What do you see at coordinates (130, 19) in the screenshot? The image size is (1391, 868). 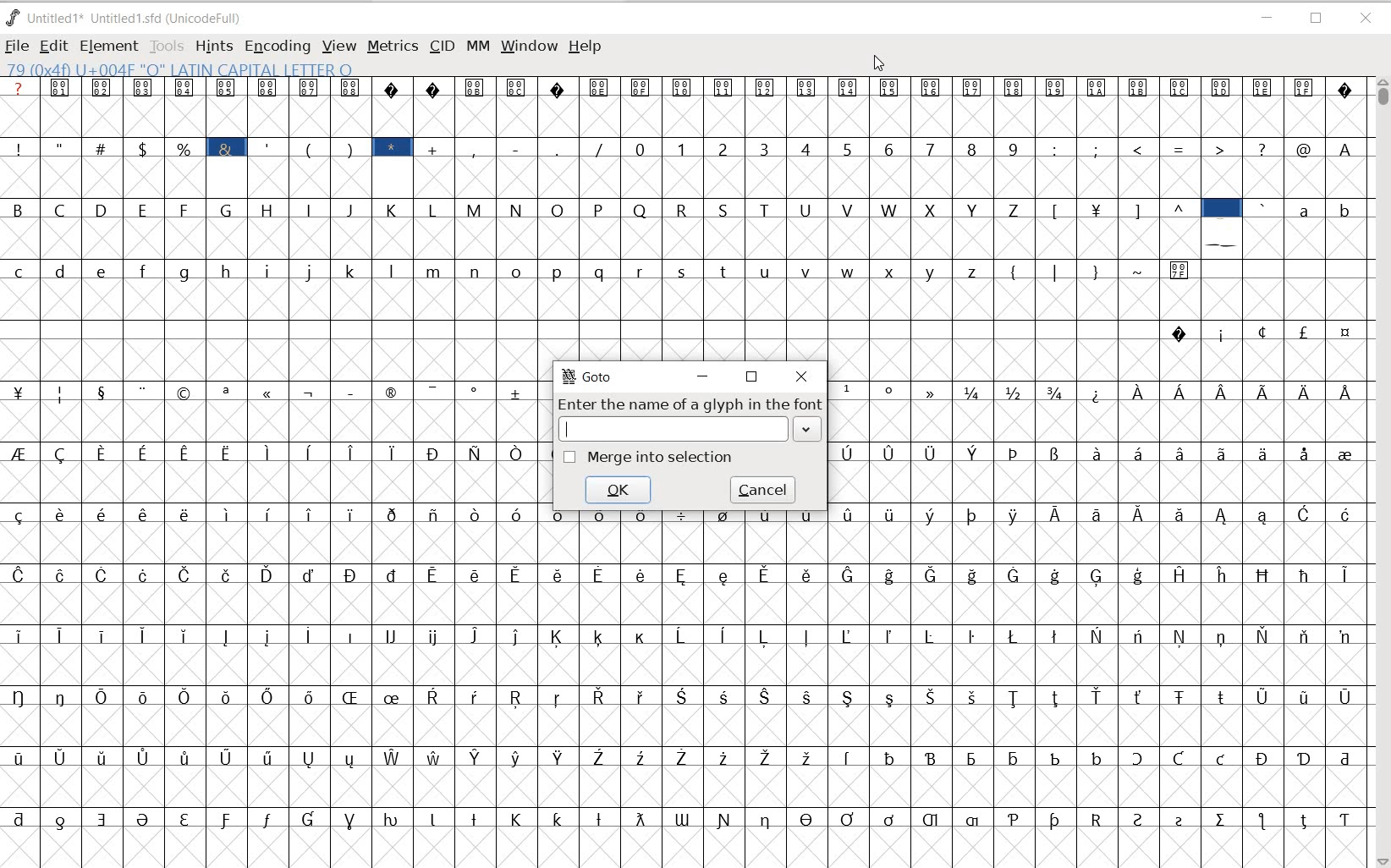 I see `Untitled 1* Untitled 1.sfd (UnicodeFull)` at bounding box center [130, 19].